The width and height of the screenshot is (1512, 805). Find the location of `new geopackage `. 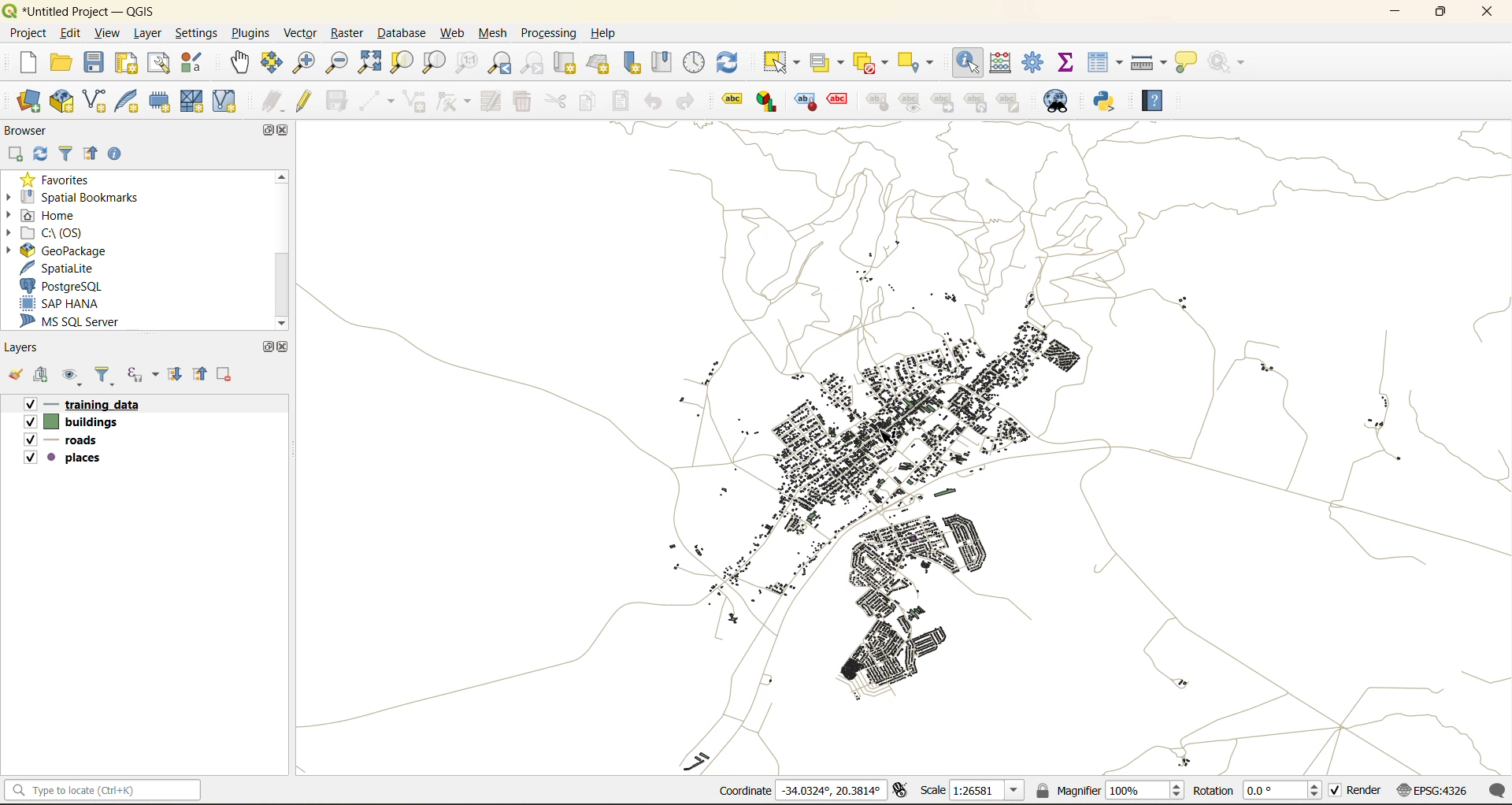

new geopackage  is located at coordinates (62, 102).